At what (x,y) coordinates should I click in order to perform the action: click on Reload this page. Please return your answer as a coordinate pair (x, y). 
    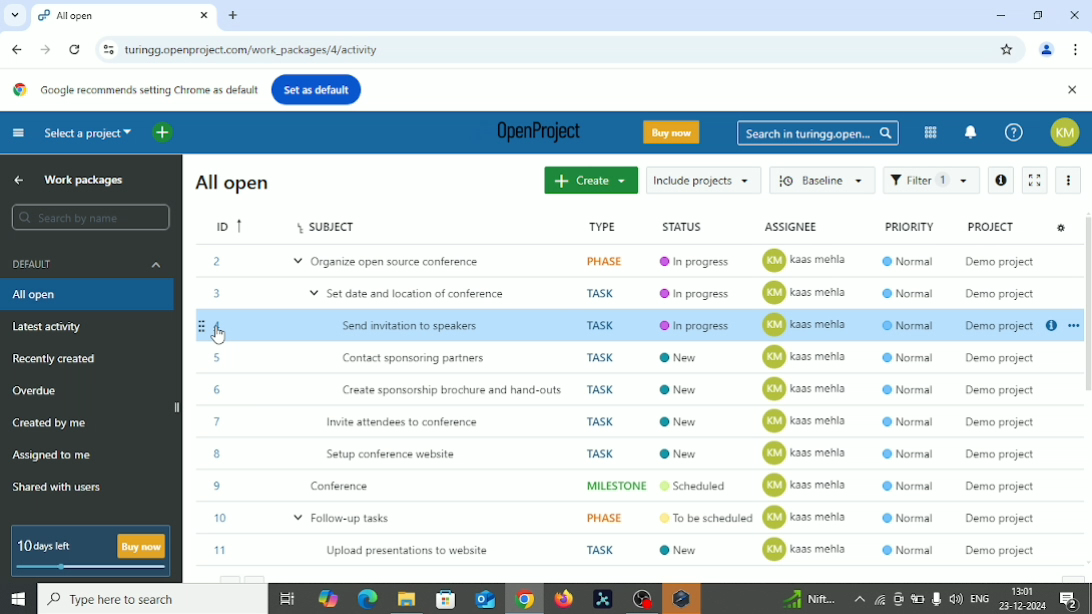
    Looking at the image, I should click on (75, 50).